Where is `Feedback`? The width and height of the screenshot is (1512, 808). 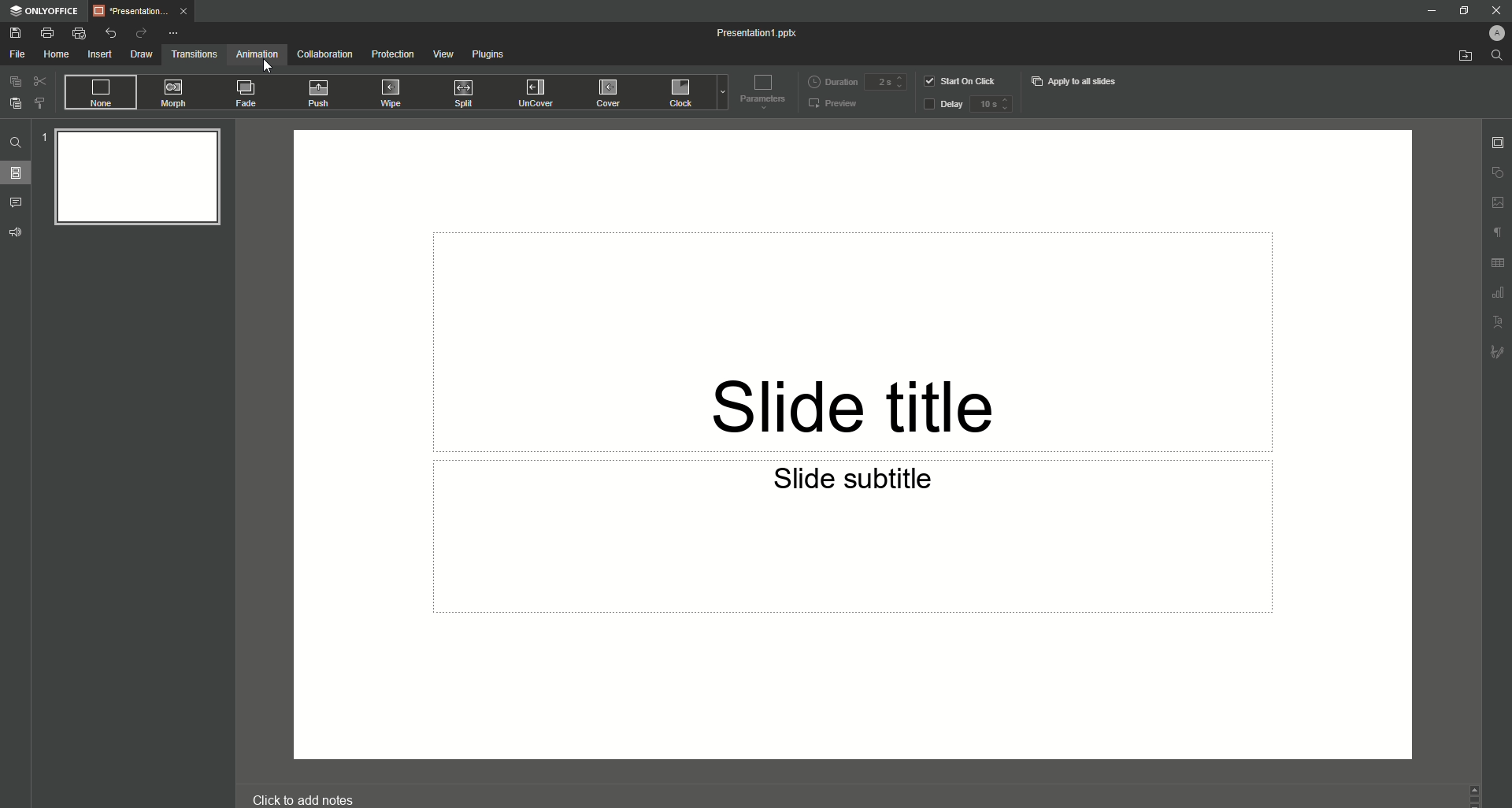
Feedback is located at coordinates (16, 233).